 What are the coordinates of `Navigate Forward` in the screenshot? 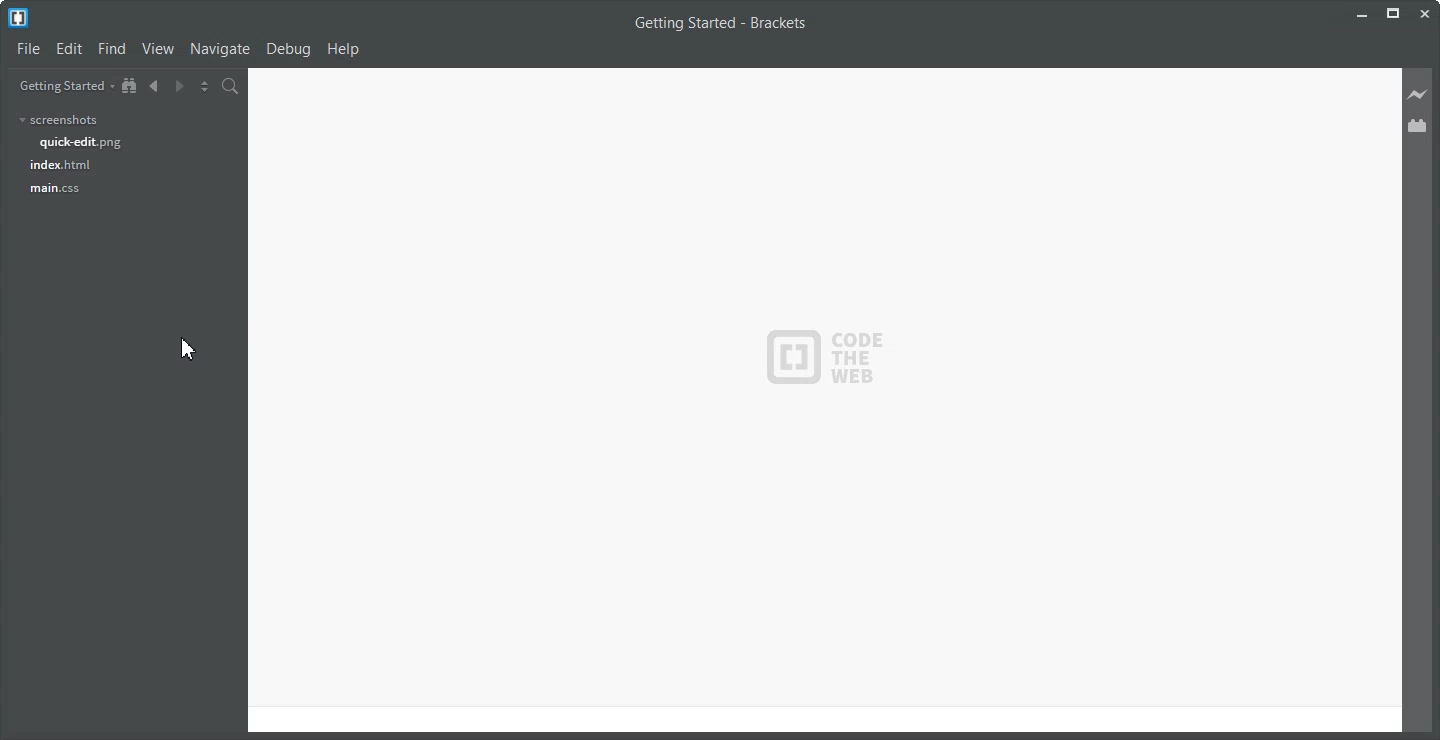 It's located at (180, 85).